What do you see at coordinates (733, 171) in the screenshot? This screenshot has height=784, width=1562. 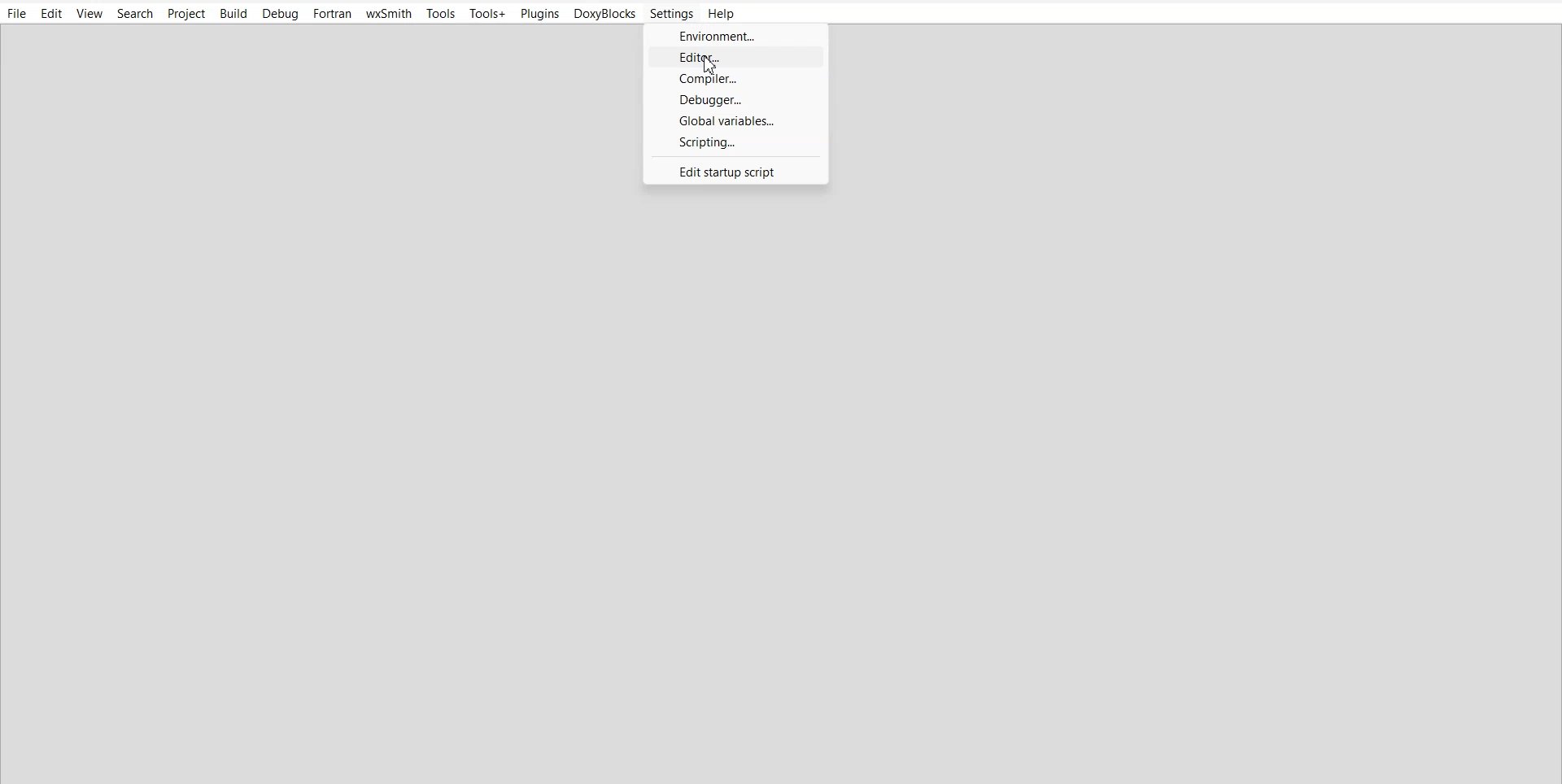 I see `Edit startup script` at bounding box center [733, 171].